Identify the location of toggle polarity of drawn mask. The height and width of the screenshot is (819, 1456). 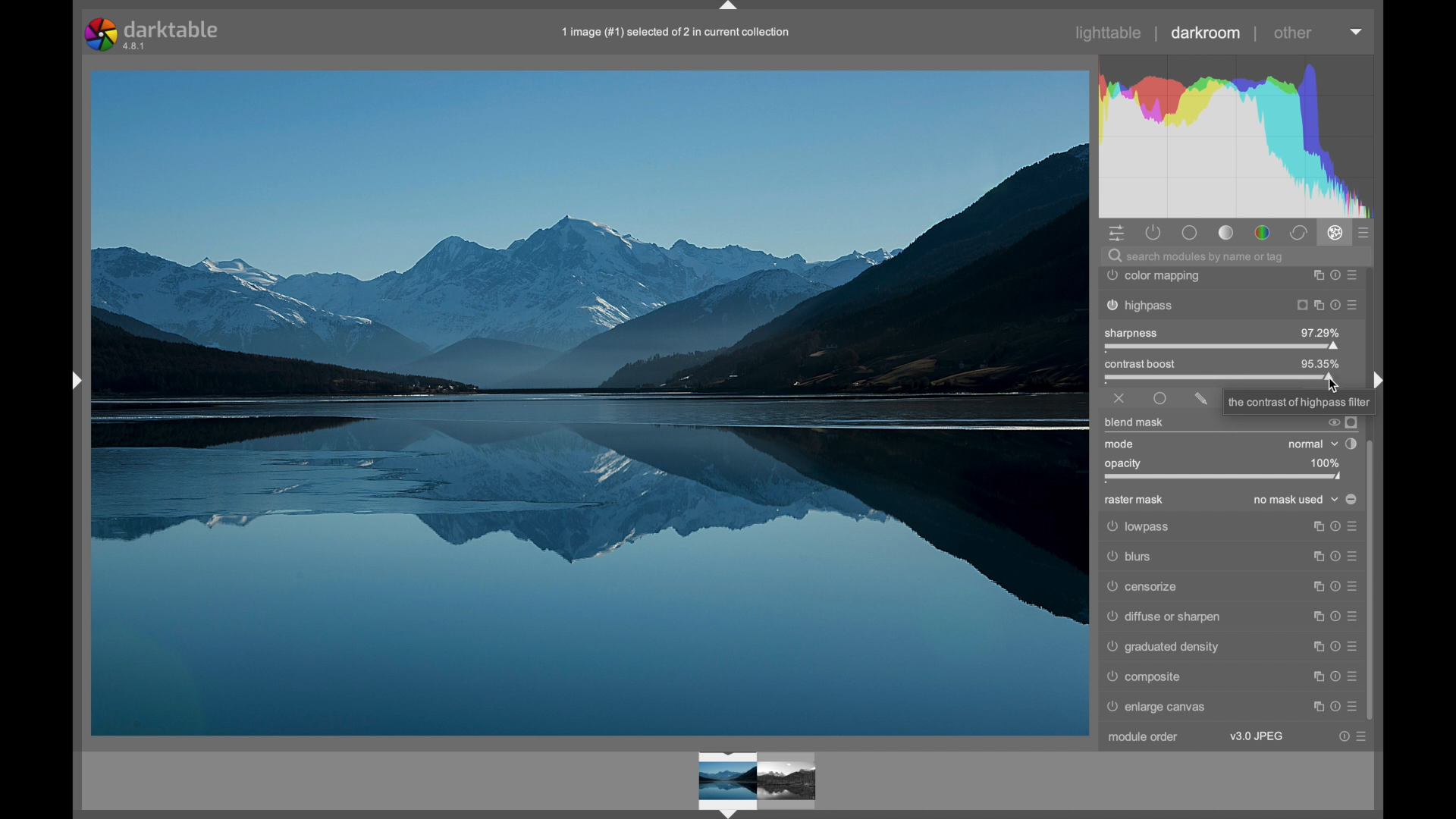
(1351, 499).